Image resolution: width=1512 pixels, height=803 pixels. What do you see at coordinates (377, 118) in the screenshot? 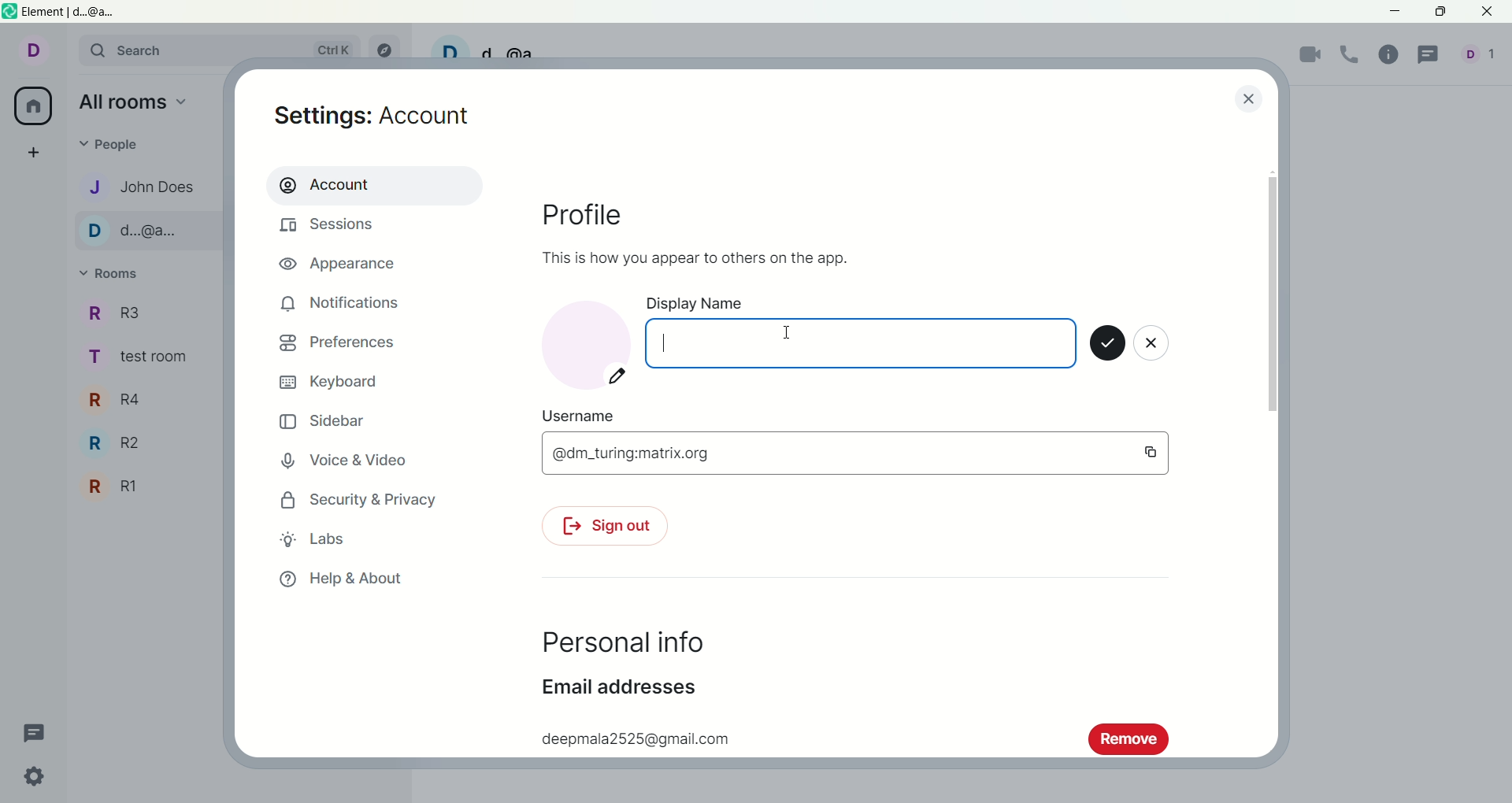
I see `settings: account` at bounding box center [377, 118].